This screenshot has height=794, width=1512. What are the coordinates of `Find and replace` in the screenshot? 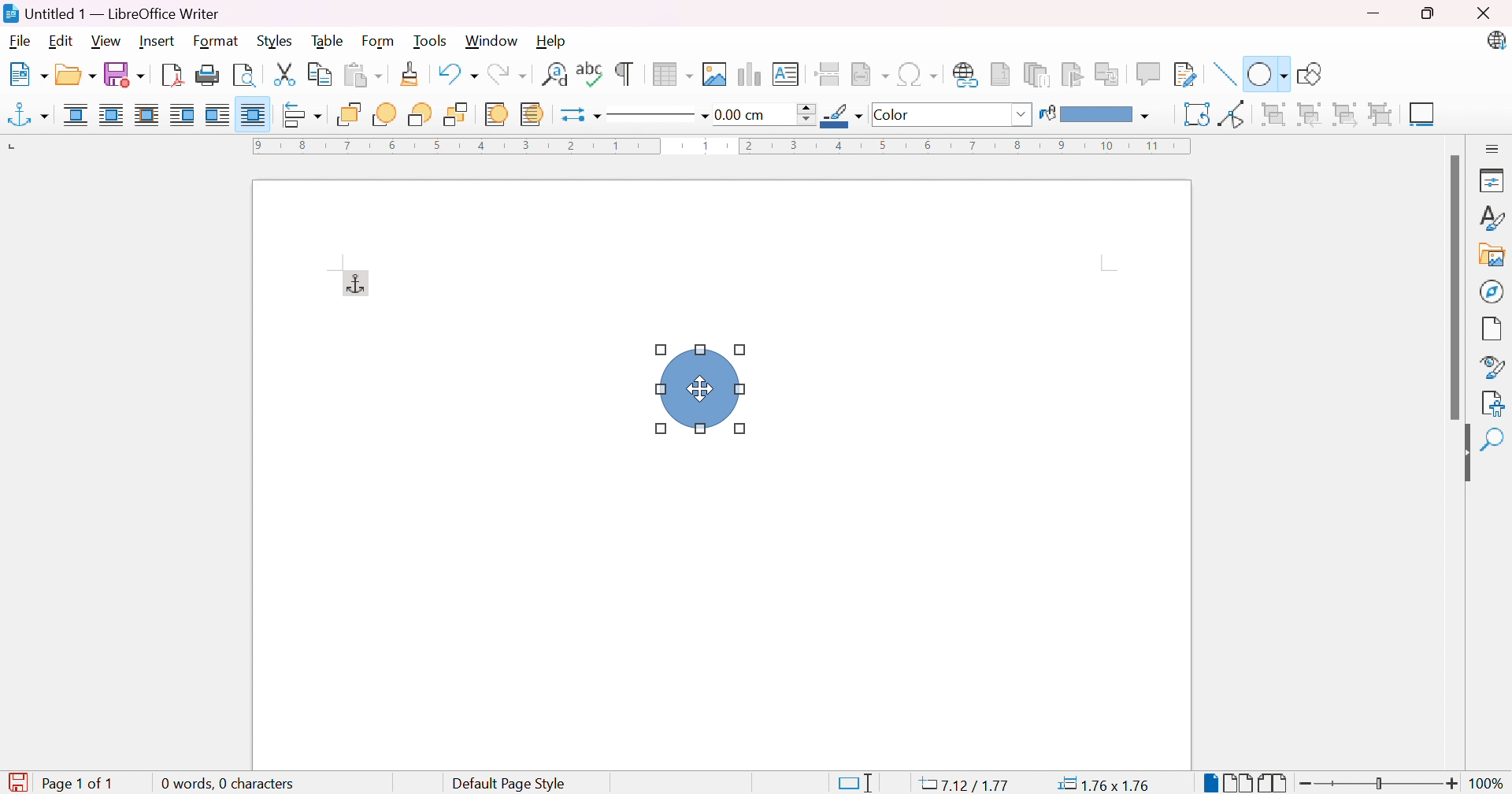 It's located at (553, 74).